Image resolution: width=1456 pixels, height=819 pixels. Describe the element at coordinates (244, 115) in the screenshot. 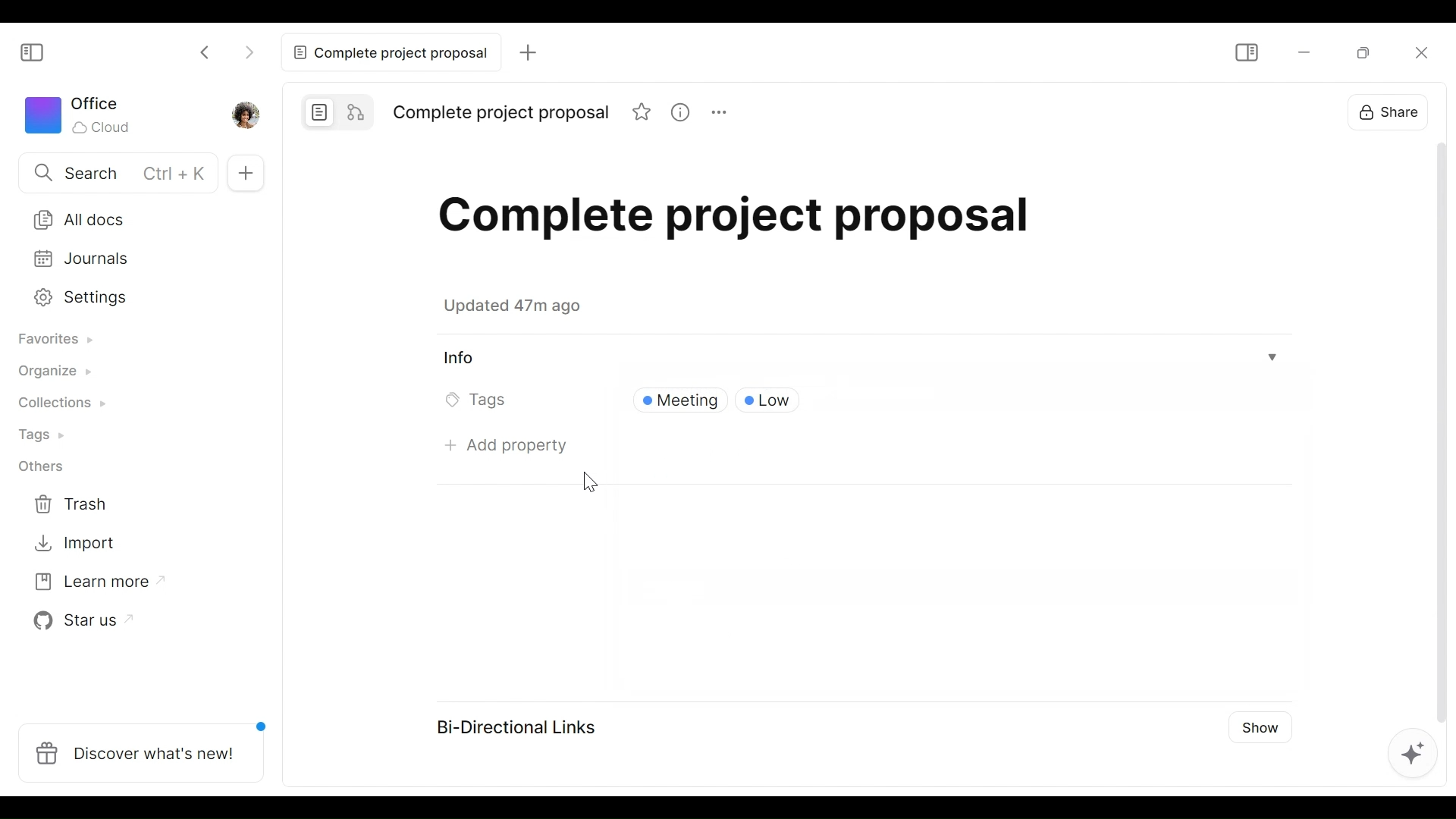

I see `Profile photo` at that location.